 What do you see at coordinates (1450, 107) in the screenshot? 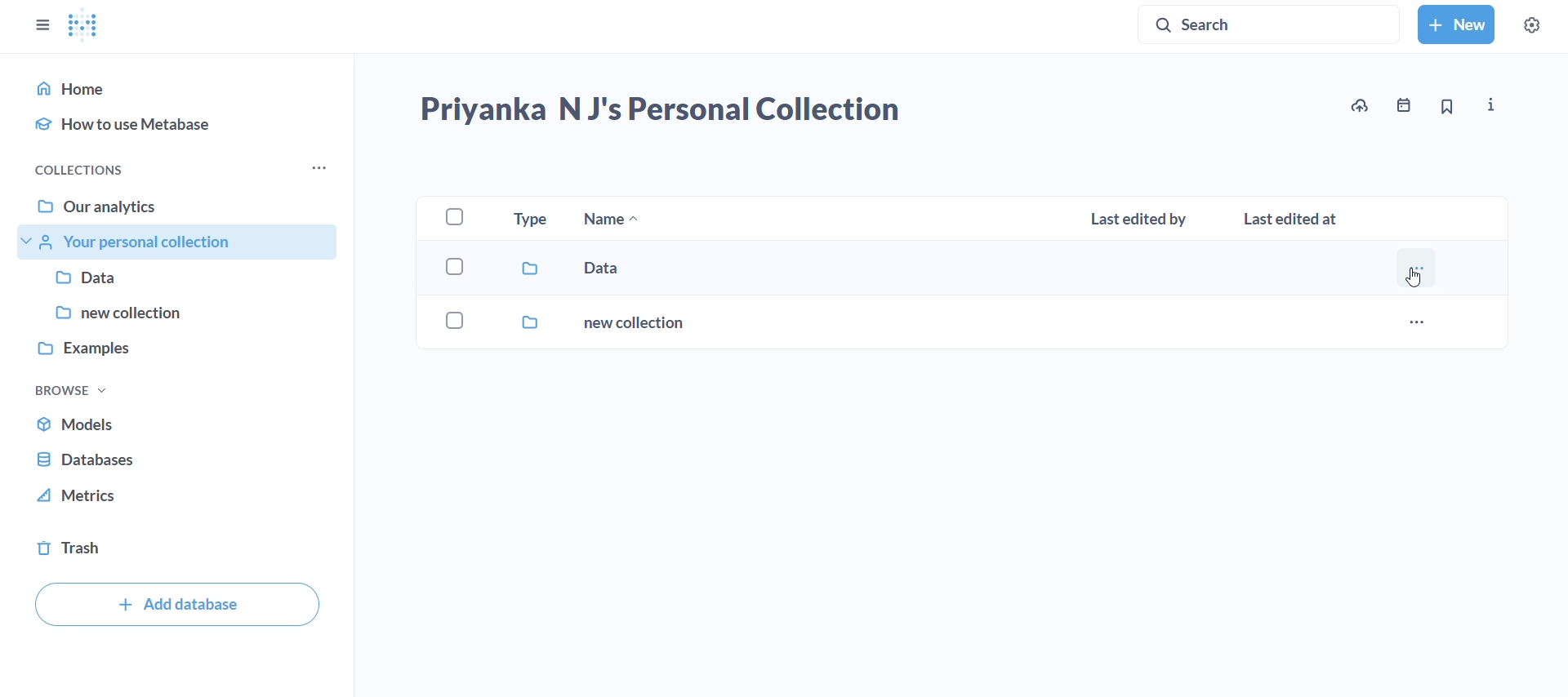
I see `bookmark` at bounding box center [1450, 107].